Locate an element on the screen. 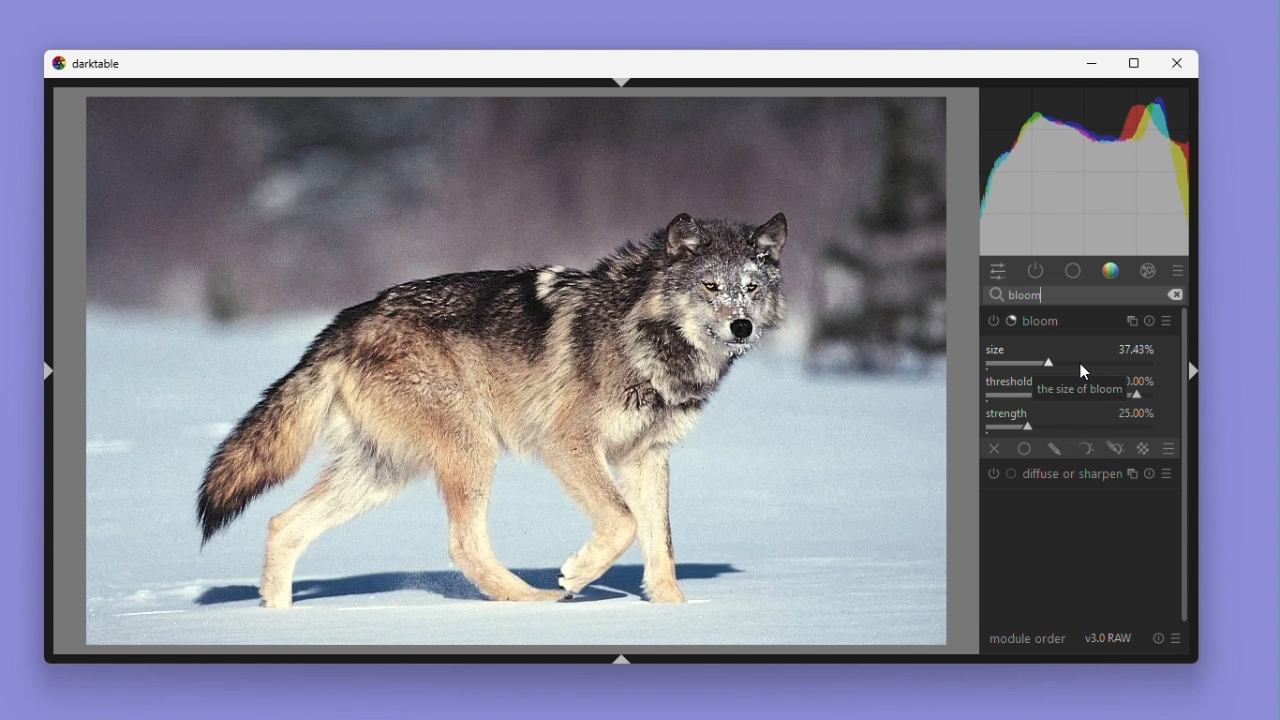 This screenshot has width=1280, height=720. 37.43% is located at coordinates (1138, 348).